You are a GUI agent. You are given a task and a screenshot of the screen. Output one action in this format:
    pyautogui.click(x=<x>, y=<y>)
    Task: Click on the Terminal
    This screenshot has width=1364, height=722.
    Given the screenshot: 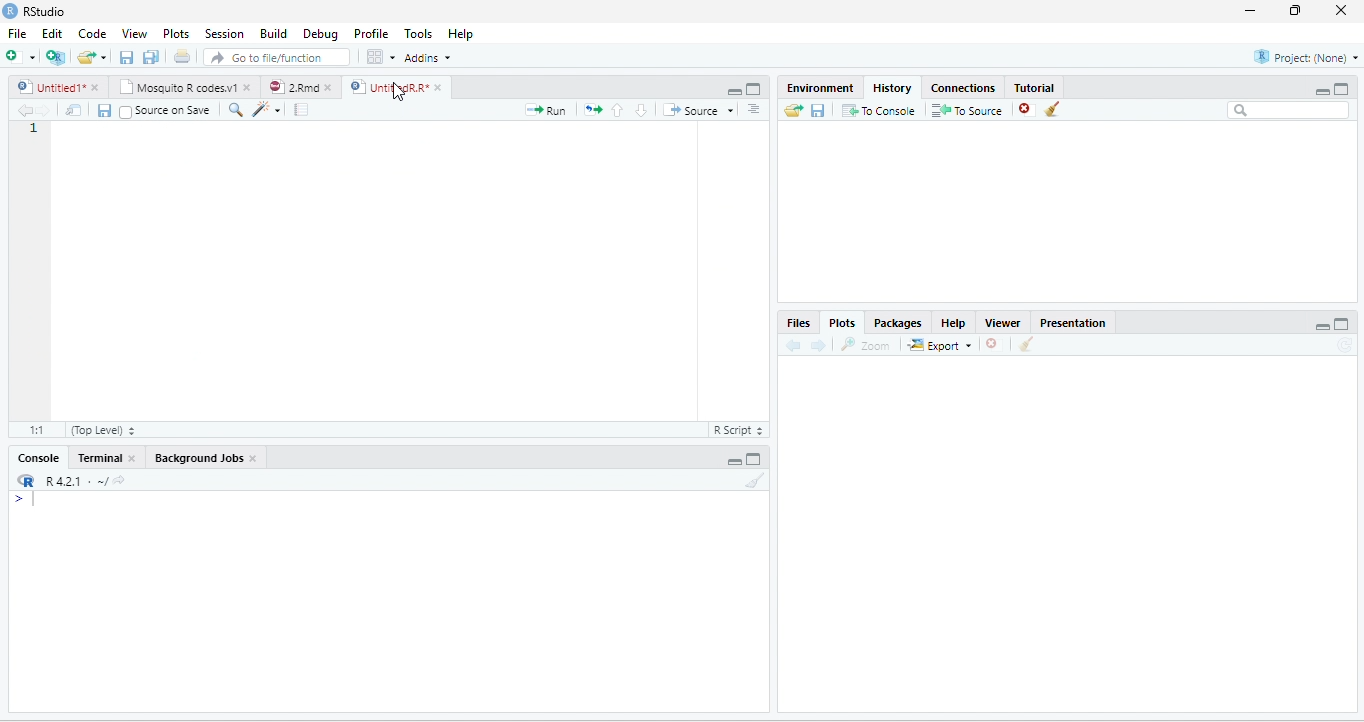 What is the action you would take?
    pyautogui.click(x=99, y=458)
    